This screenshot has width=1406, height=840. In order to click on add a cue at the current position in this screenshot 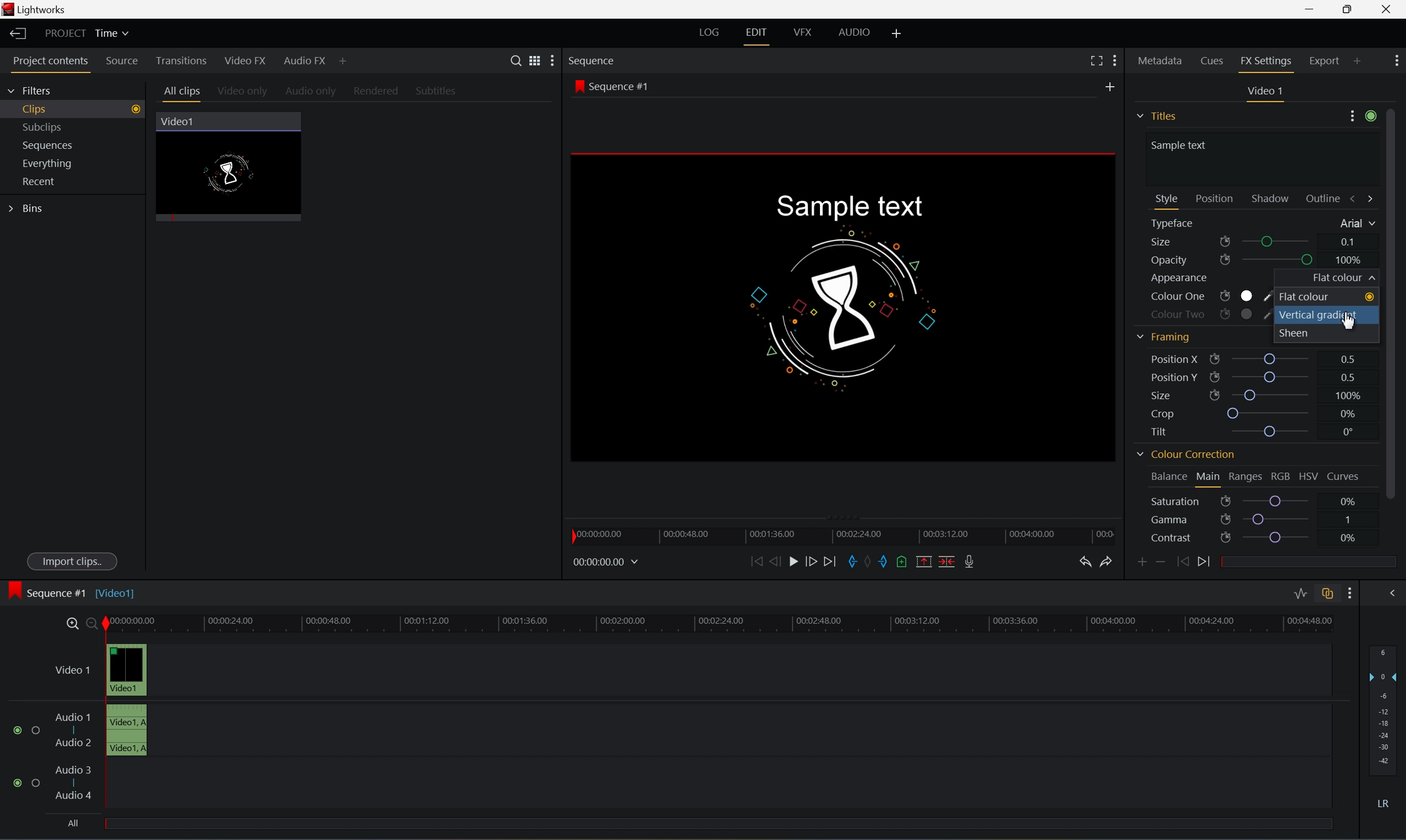, I will do `click(906, 563)`.